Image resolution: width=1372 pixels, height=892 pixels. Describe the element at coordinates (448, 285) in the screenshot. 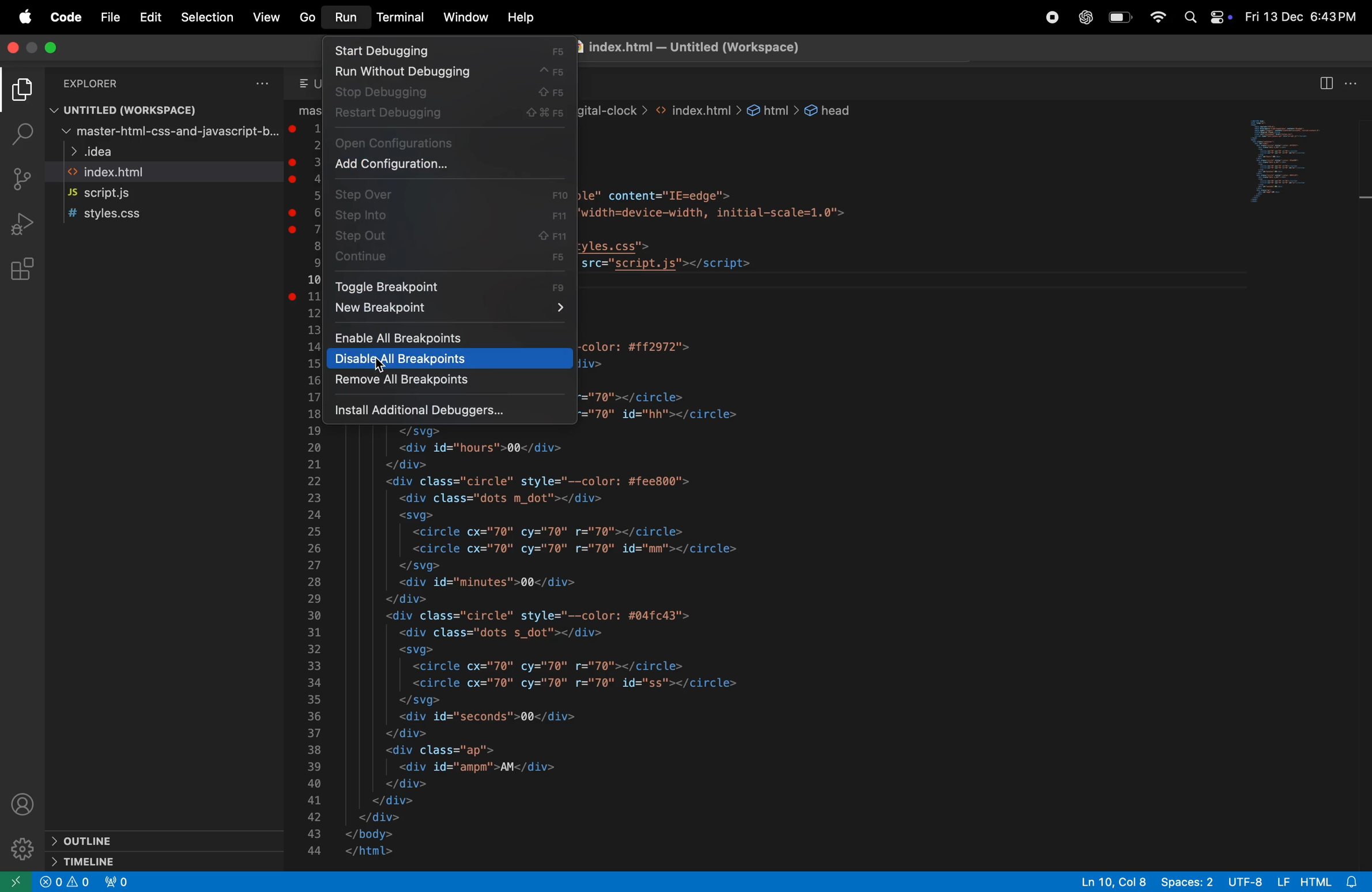

I see `toggle break point` at that location.